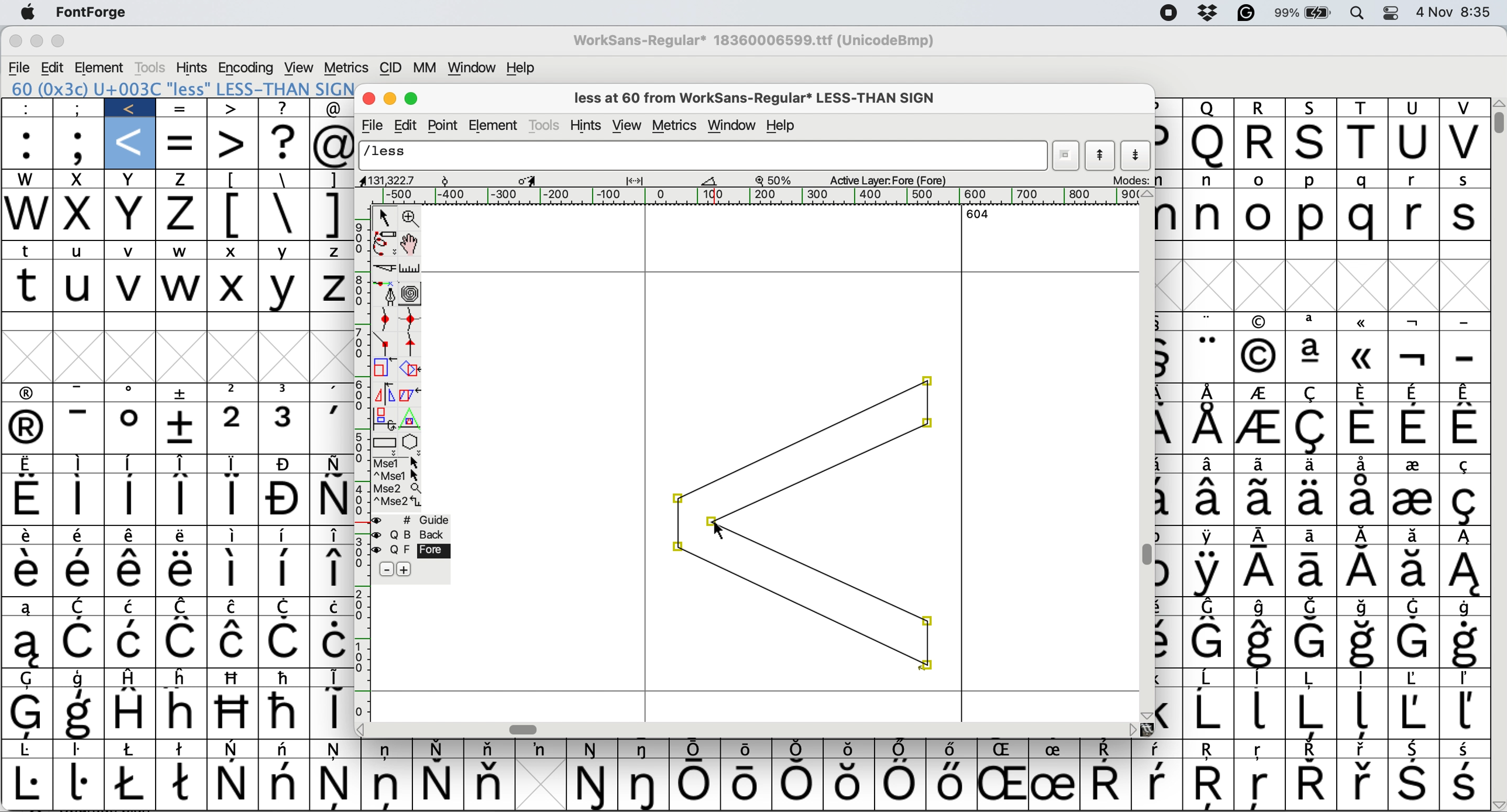 The height and width of the screenshot is (812, 1507). I want to click on Symbol, so click(1363, 607).